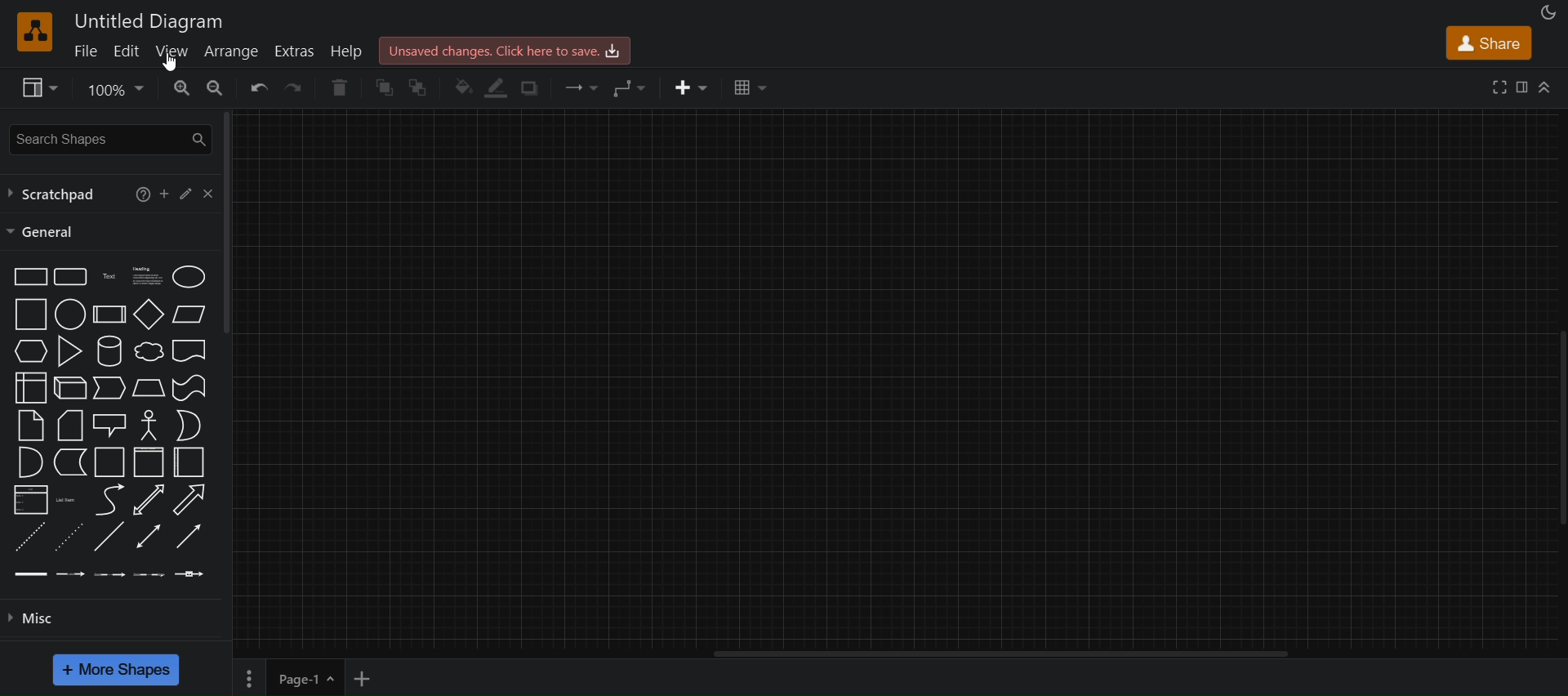  What do you see at coordinates (497, 86) in the screenshot?
I see `line color` at bounding box center [497, 86].